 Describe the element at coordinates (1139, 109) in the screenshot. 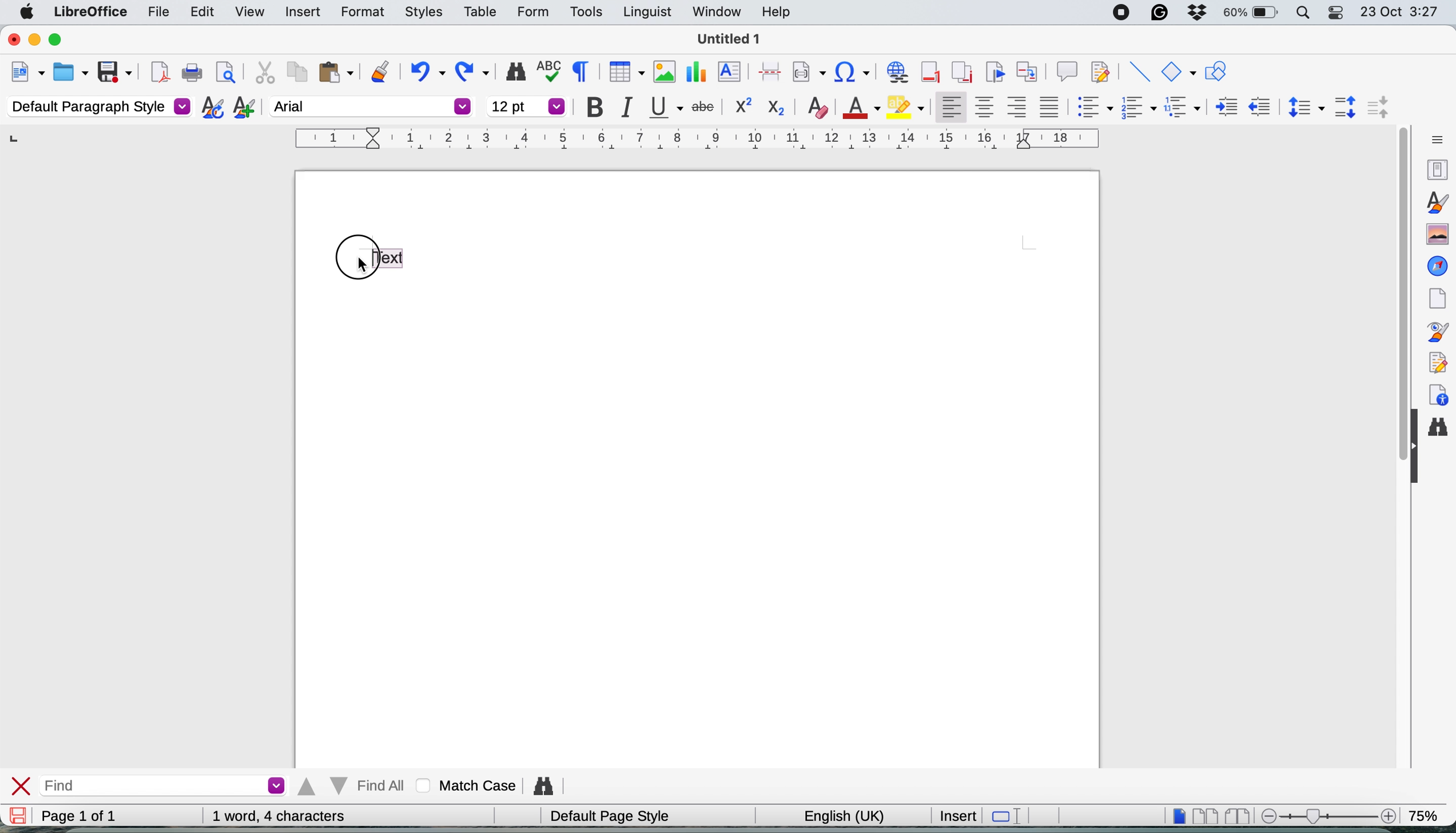

I see `toggle ordered list` at that location.